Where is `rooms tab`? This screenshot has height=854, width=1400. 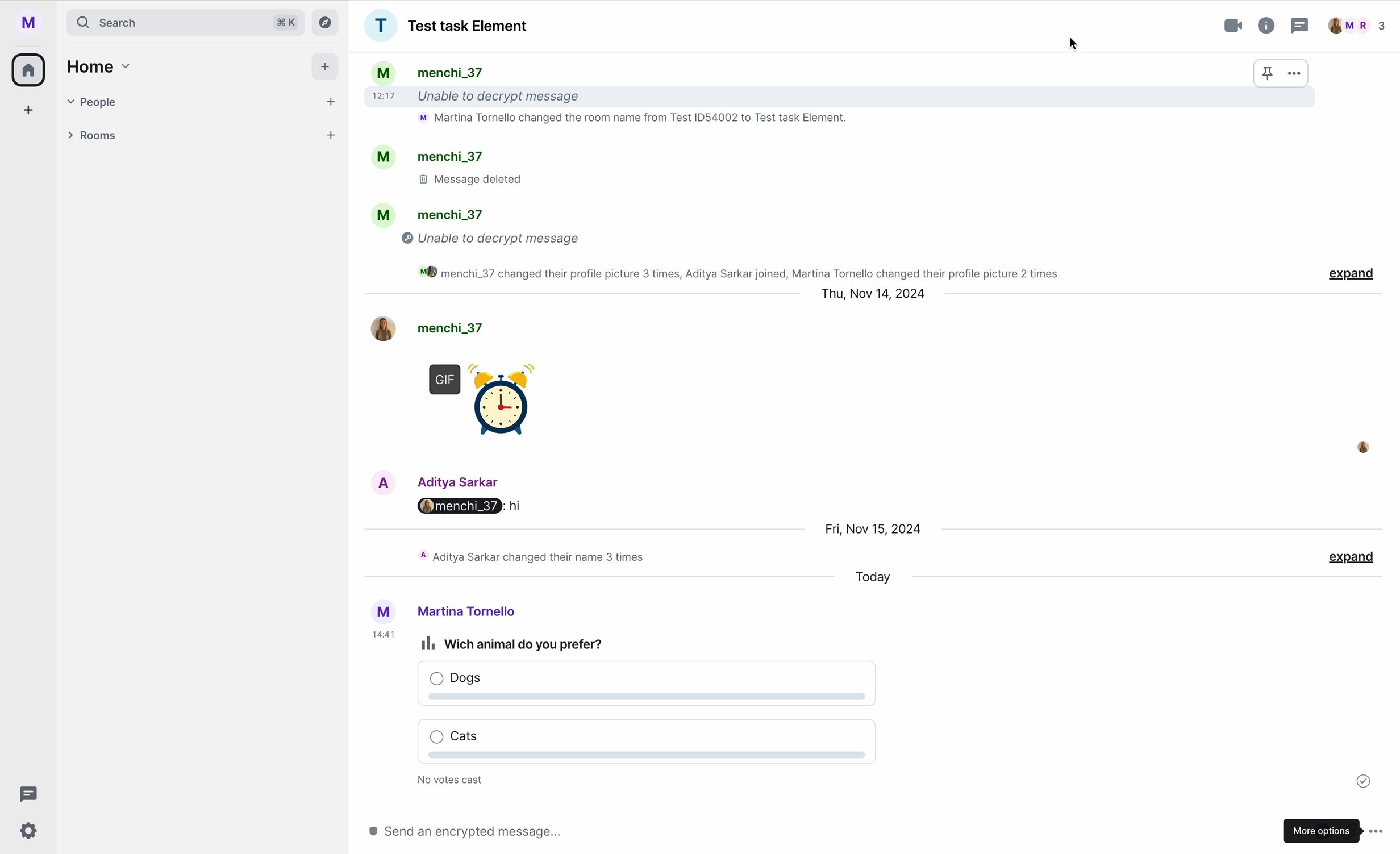
rooms tab is located at coordinates (198, 137).